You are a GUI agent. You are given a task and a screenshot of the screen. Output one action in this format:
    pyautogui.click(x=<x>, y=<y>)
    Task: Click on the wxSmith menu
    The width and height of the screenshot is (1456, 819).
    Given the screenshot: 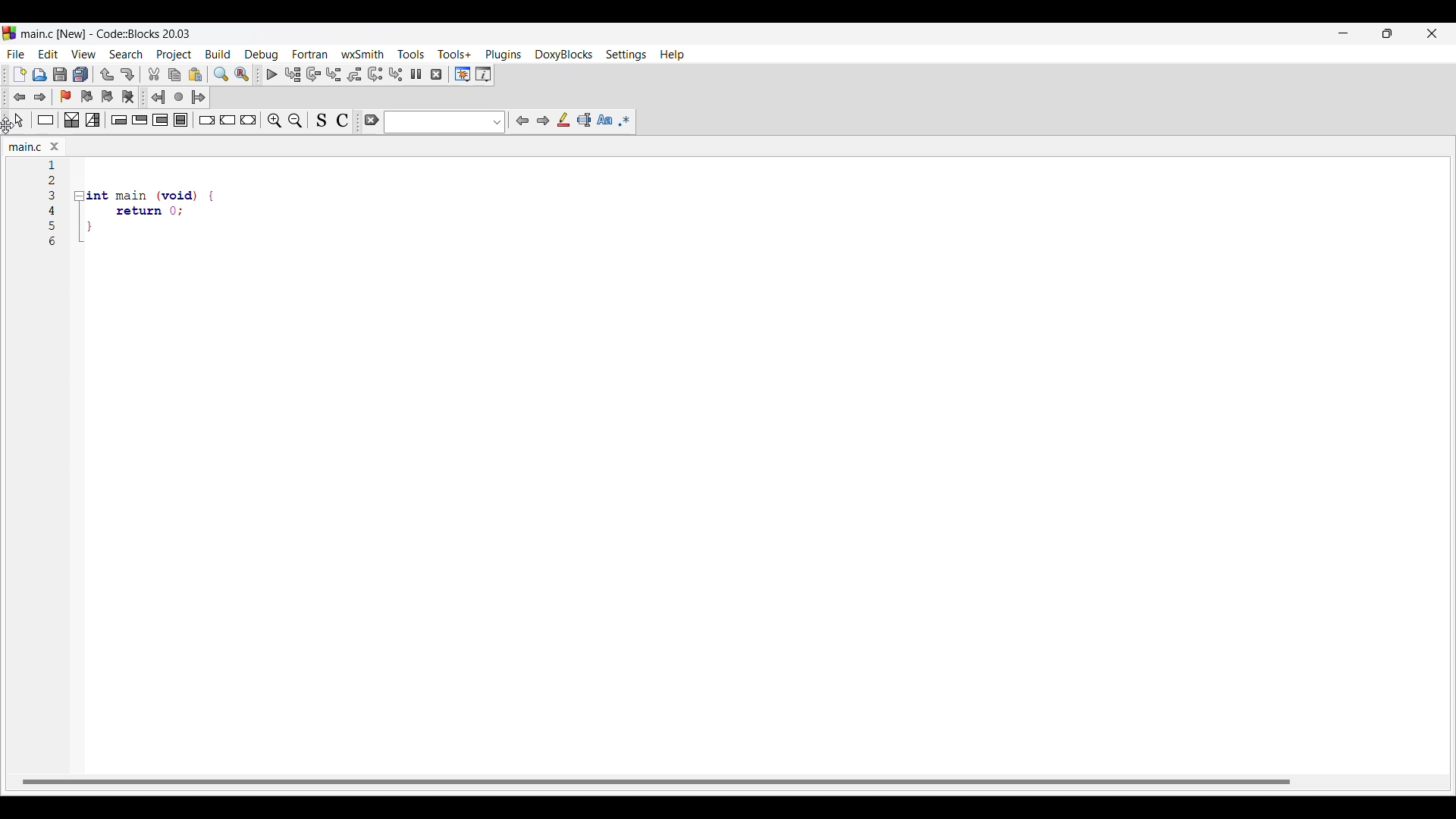 What is the action you would take?
    pyautogui.click(x=362, y=54)
    